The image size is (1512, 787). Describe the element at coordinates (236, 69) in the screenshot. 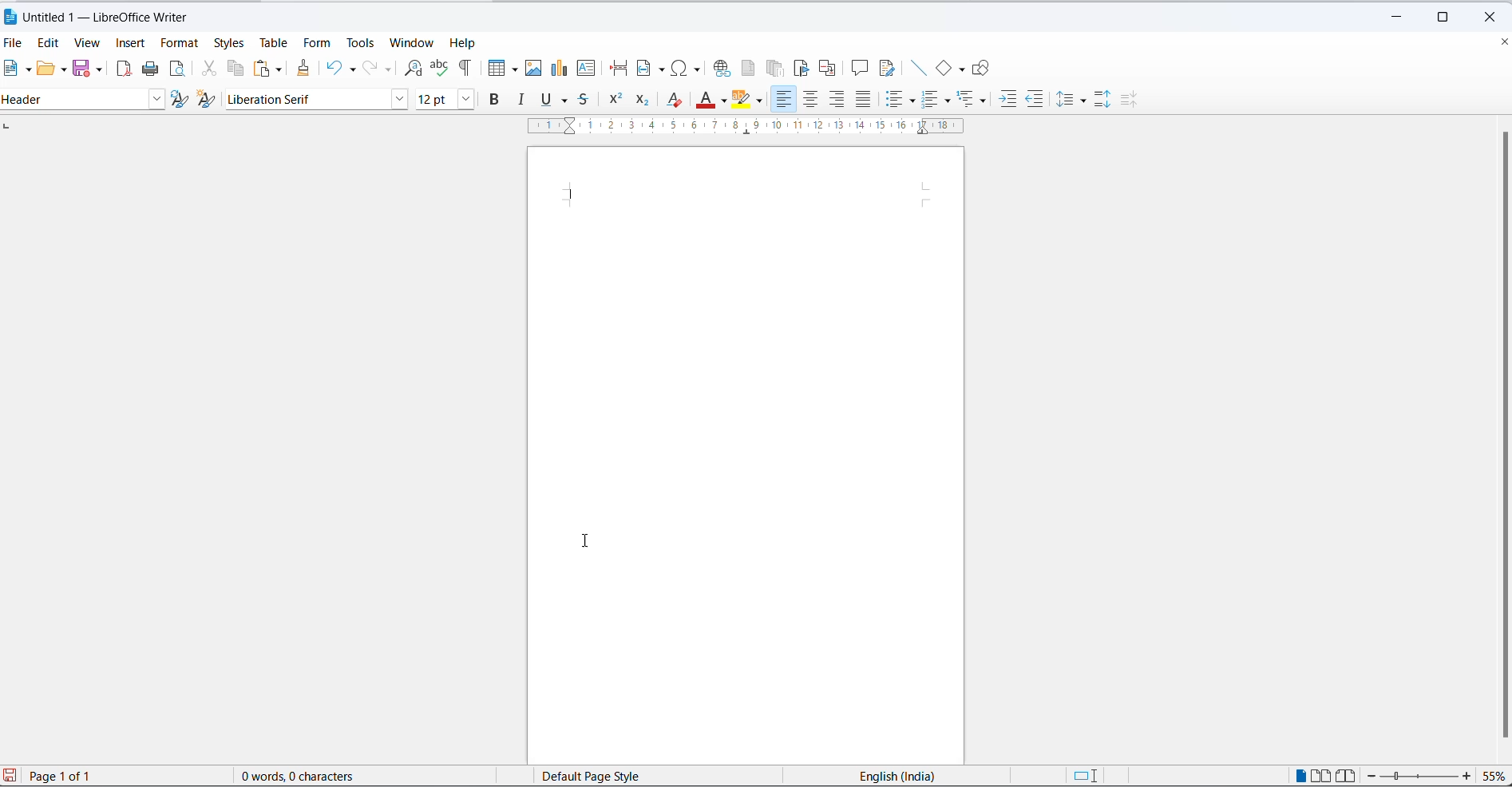

I see `copy` at that location.